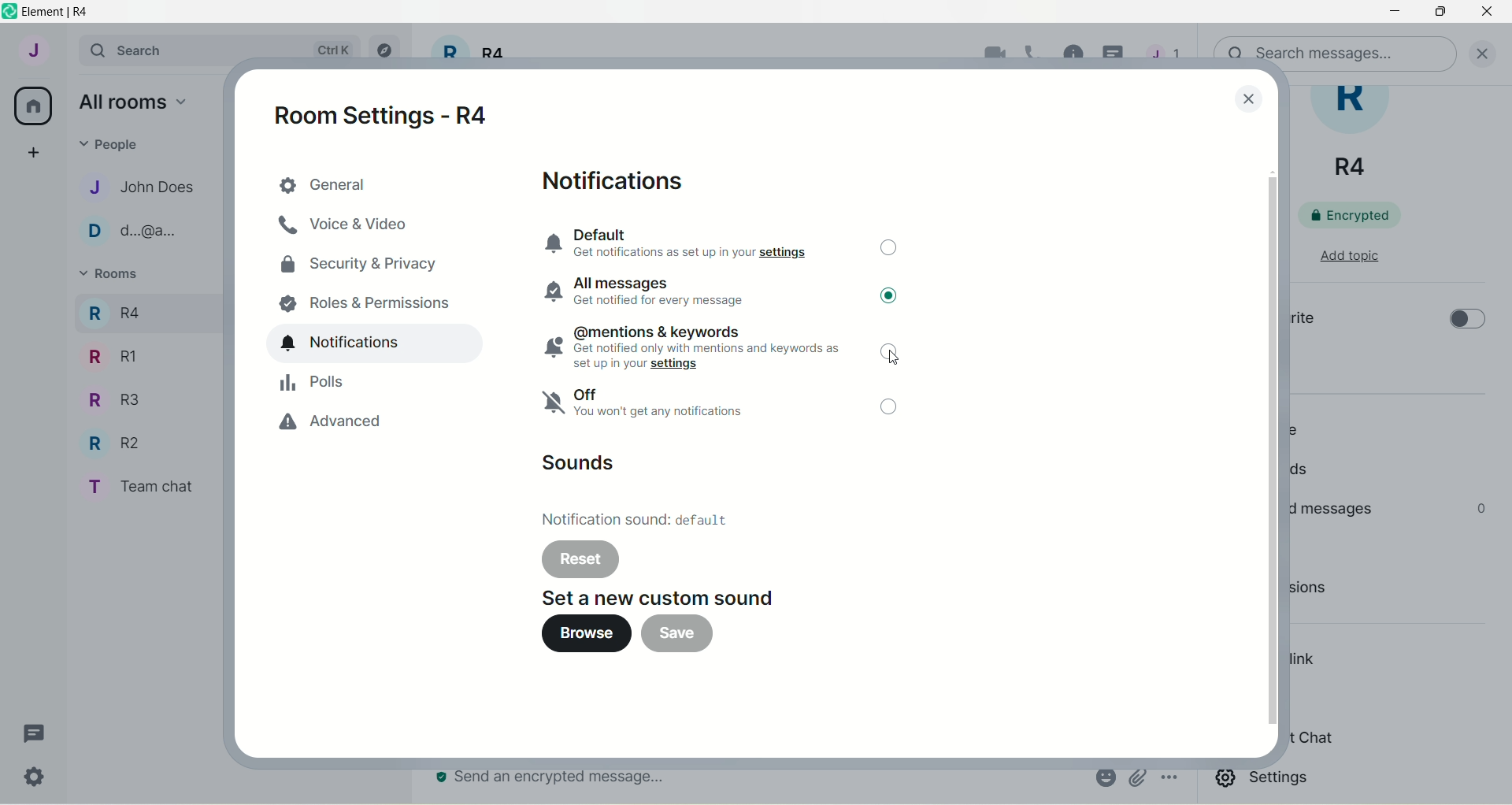 Image resolution: width=1512 pixels, height=805 pixels. What do you see at coordinates (1464, 325) in the screenshot?
I see `toggle button` at bounding box center [1464, 325].